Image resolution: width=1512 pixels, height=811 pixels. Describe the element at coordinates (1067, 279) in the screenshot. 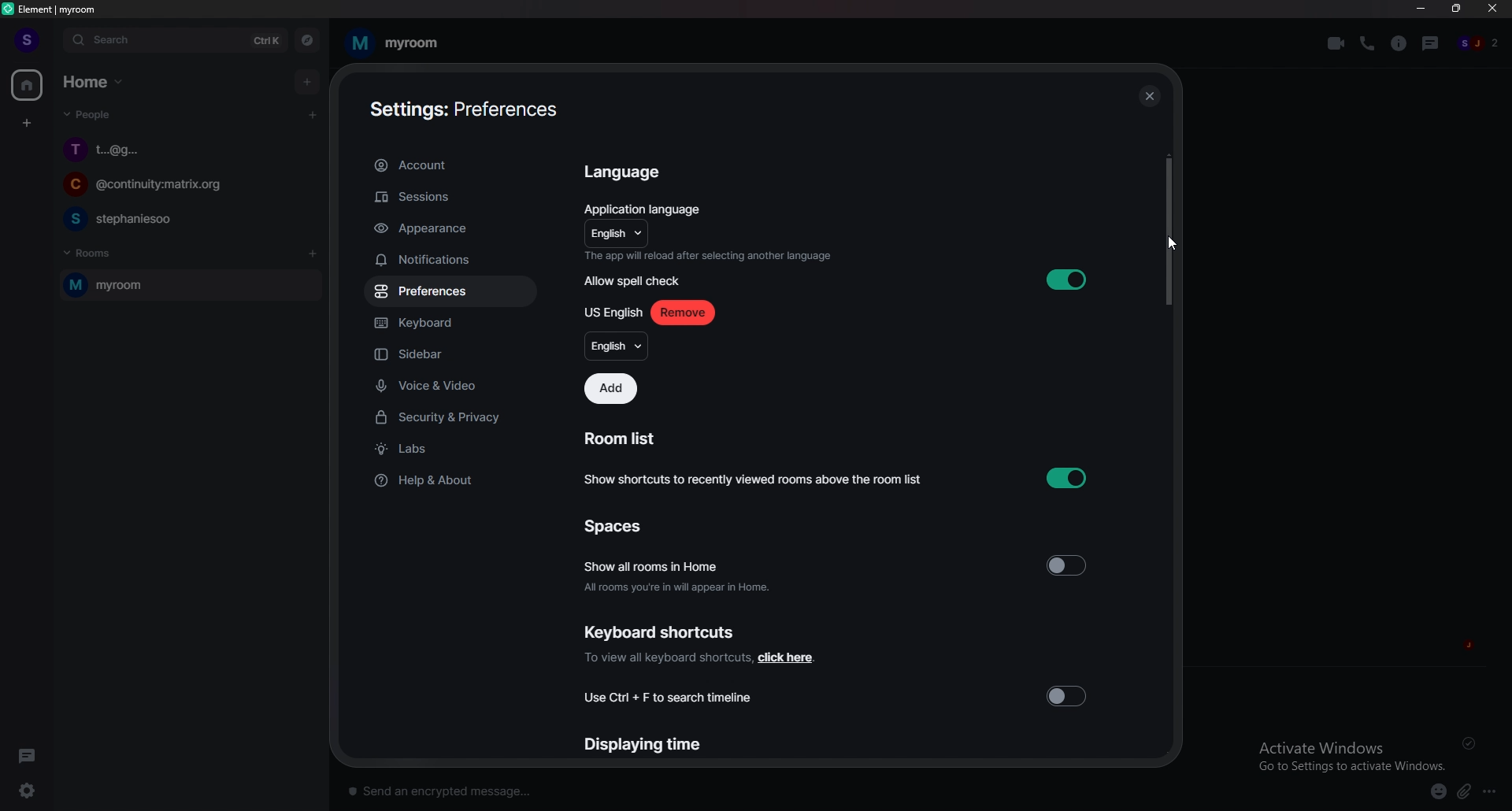

I see `allow spell check` at that location.